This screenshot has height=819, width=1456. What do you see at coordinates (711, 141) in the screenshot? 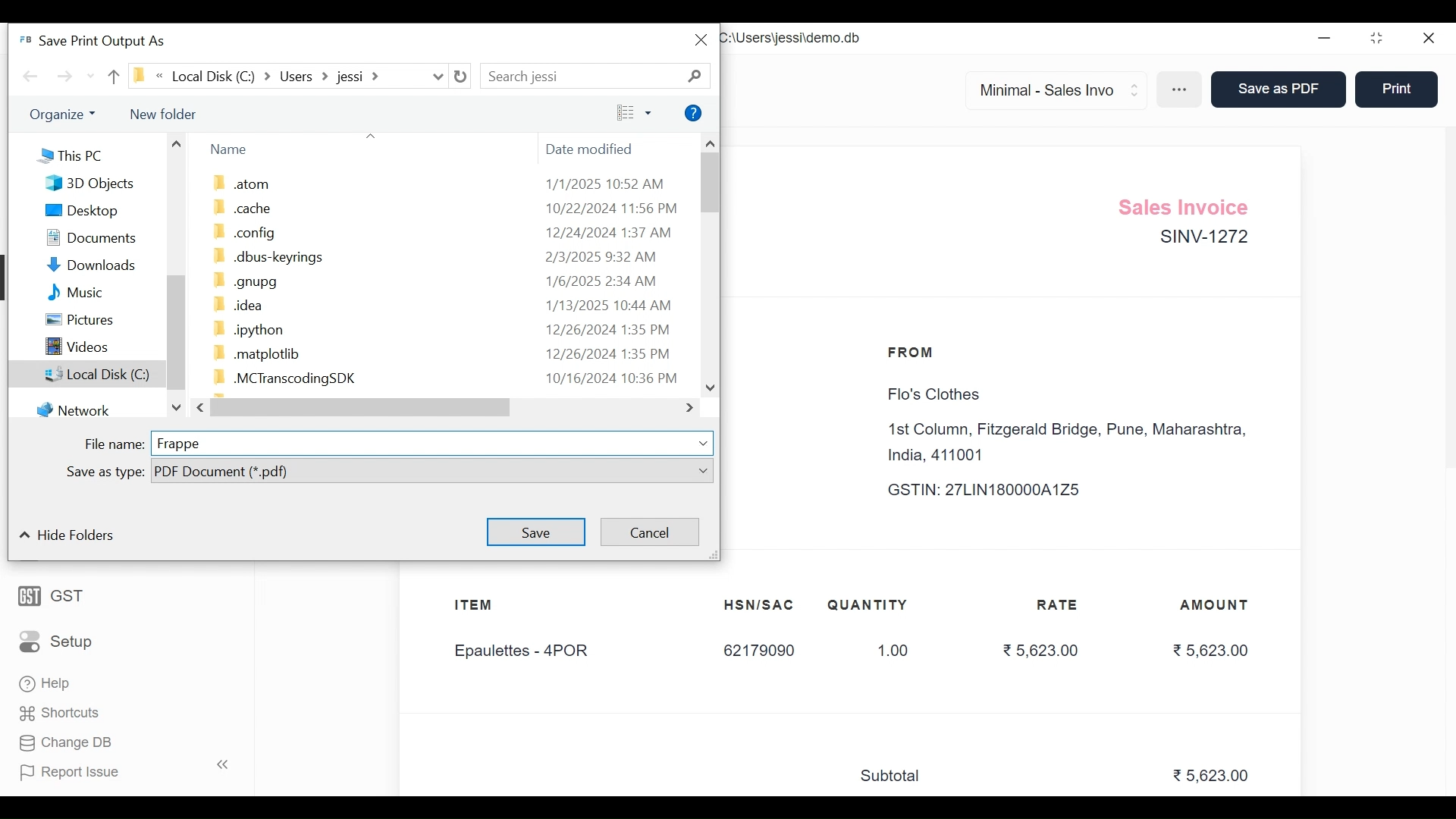
I see `Scroll up` at bounding box center [711, 141].